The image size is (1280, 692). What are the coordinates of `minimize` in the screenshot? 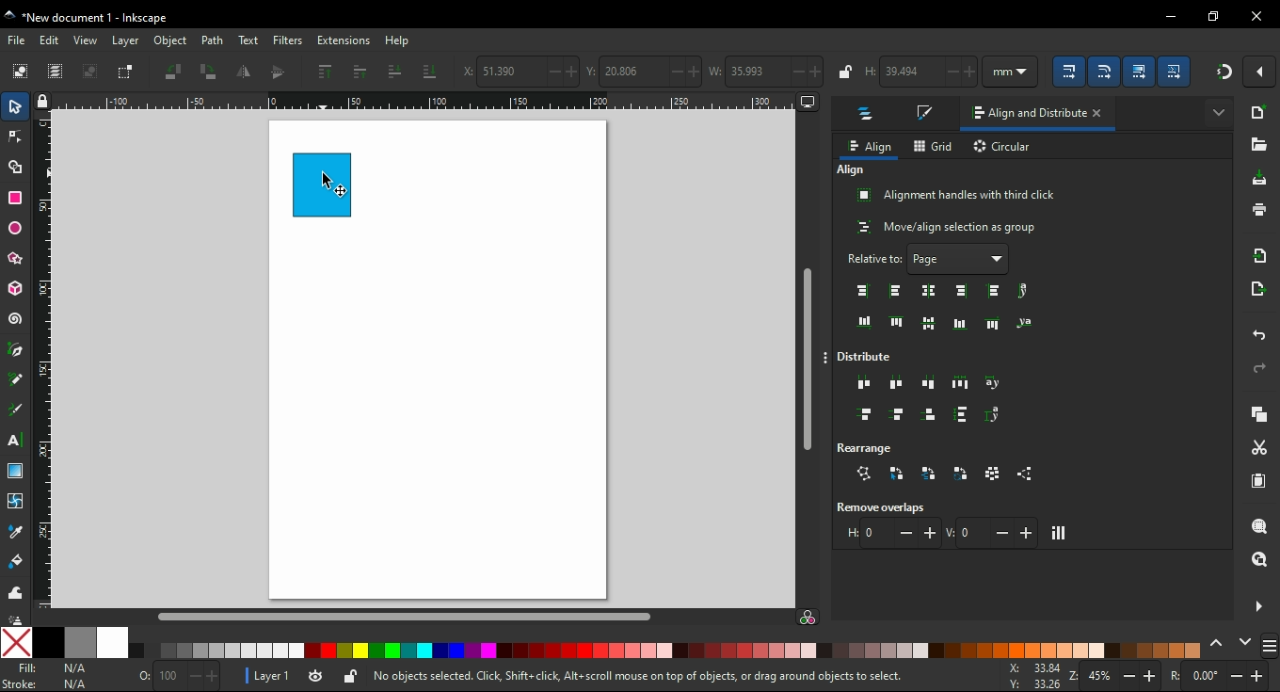 It's located at (1170, 14).